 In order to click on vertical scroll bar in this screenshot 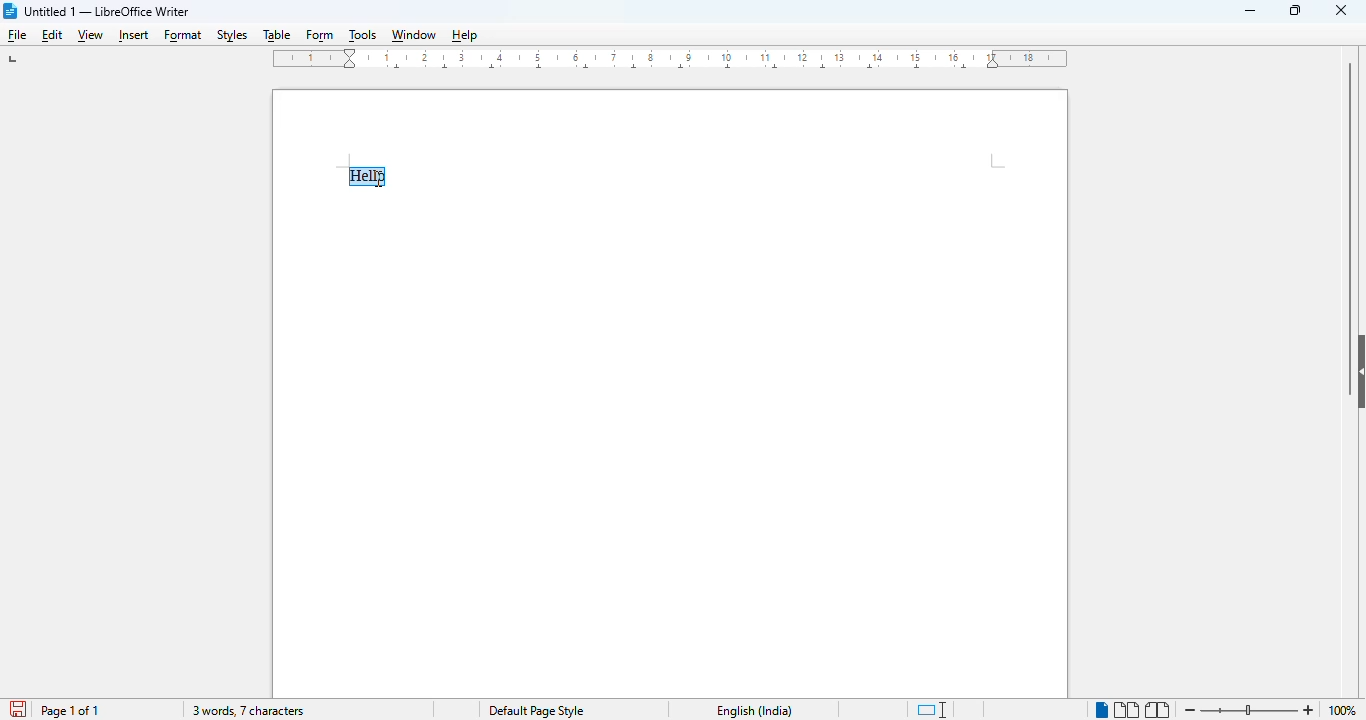, I will do `click(1349, 192)`.